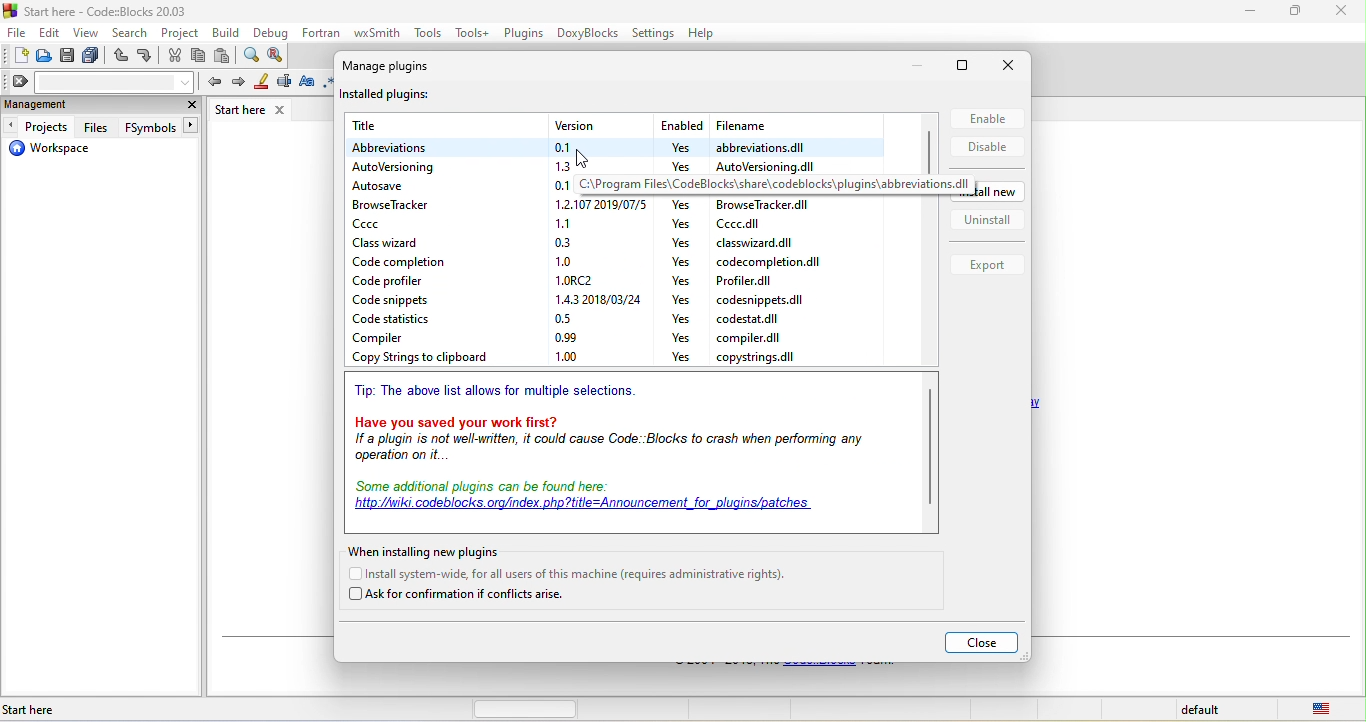  Describe the element at coordinates (380, 31) in the screenshot. I see `wxsmith` at that location.